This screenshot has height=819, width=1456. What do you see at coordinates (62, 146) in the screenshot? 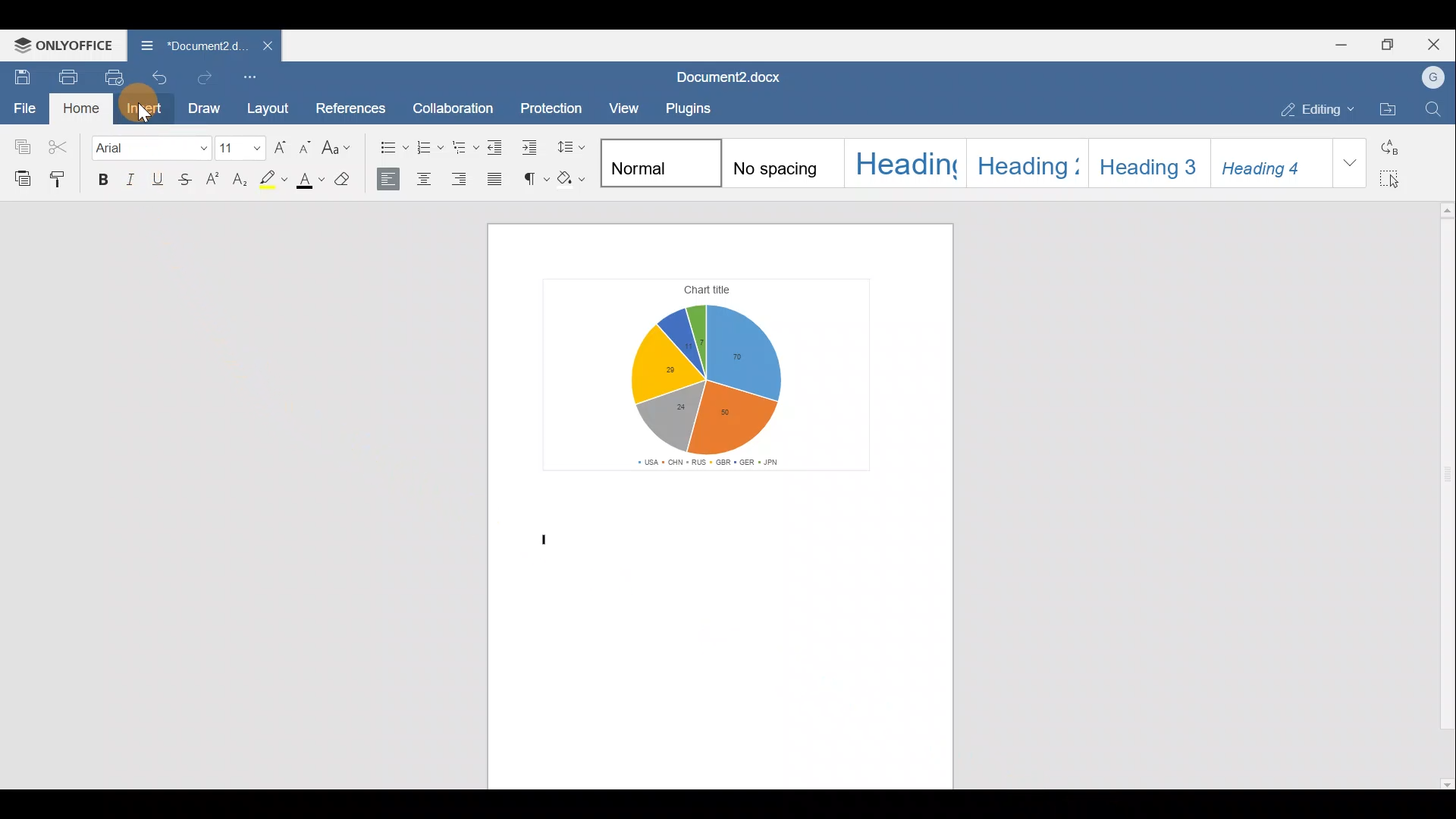
I see `Cut` at bounding box center [62, 146].